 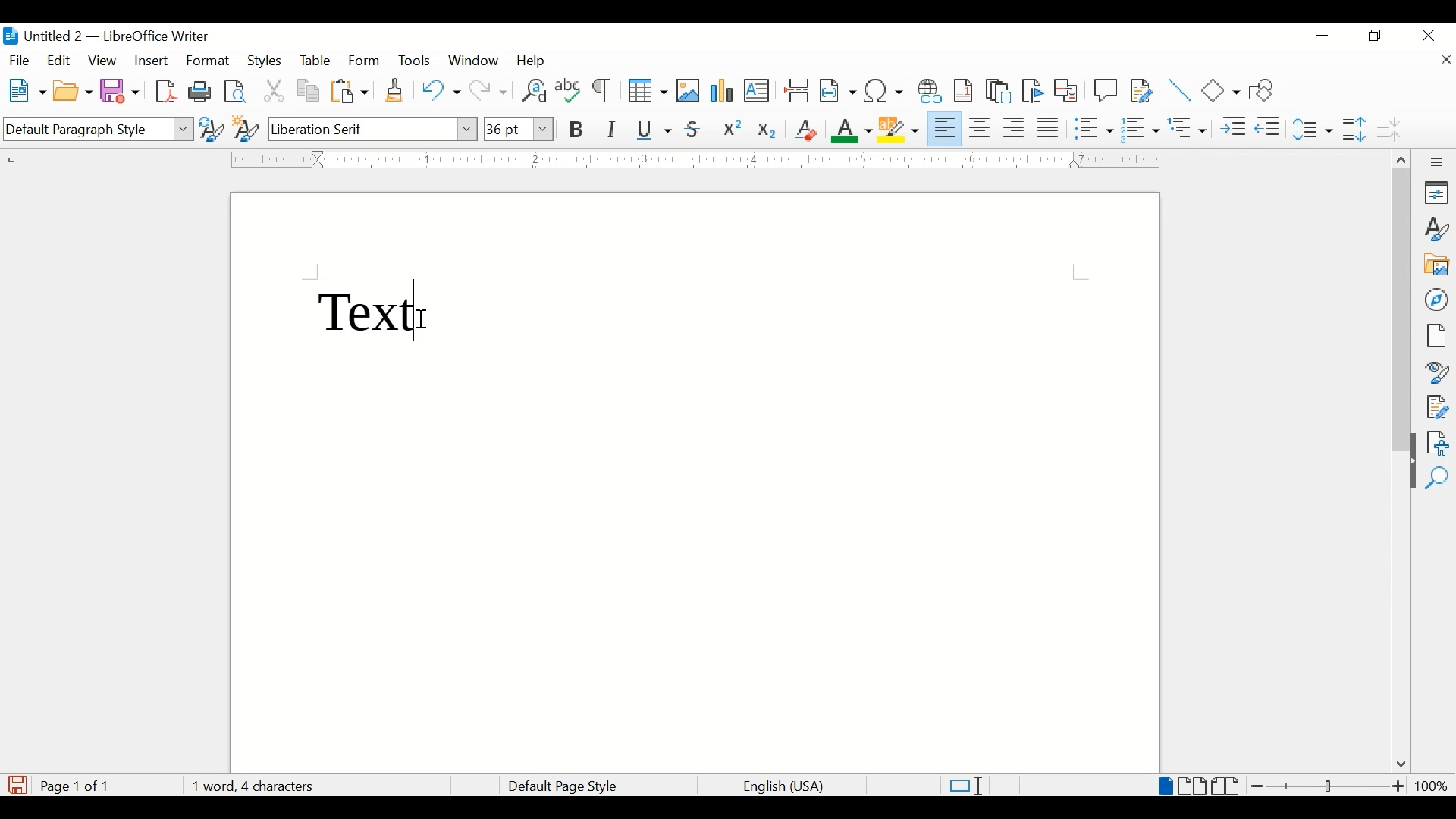 I want to click on increase paragraph spacing, so click(x=1354, y=129).